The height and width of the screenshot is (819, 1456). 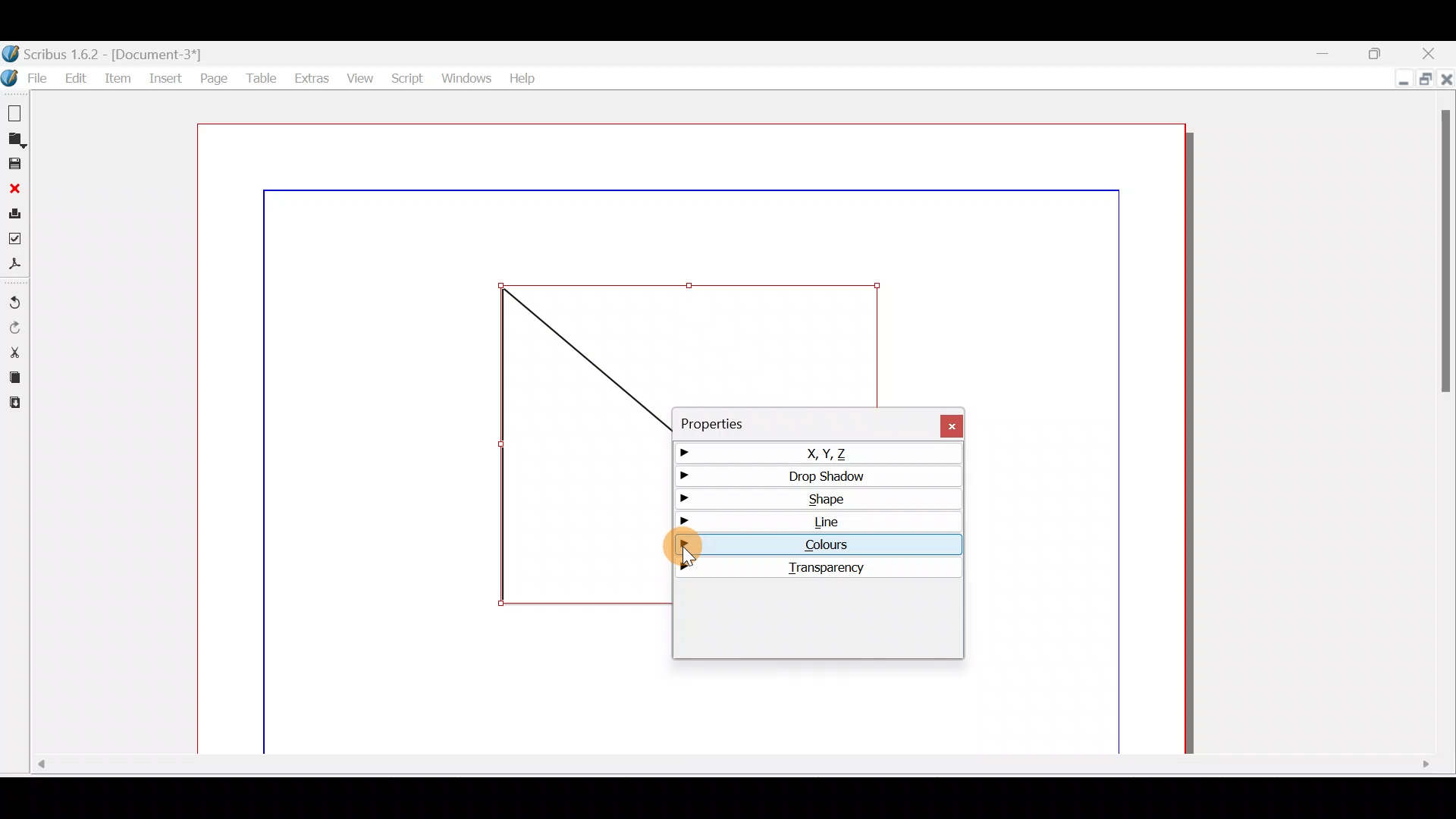 What do you see at coordinates (1436, 55) in the screenshot?
I see `Close` at bounding box center [1436, 55].